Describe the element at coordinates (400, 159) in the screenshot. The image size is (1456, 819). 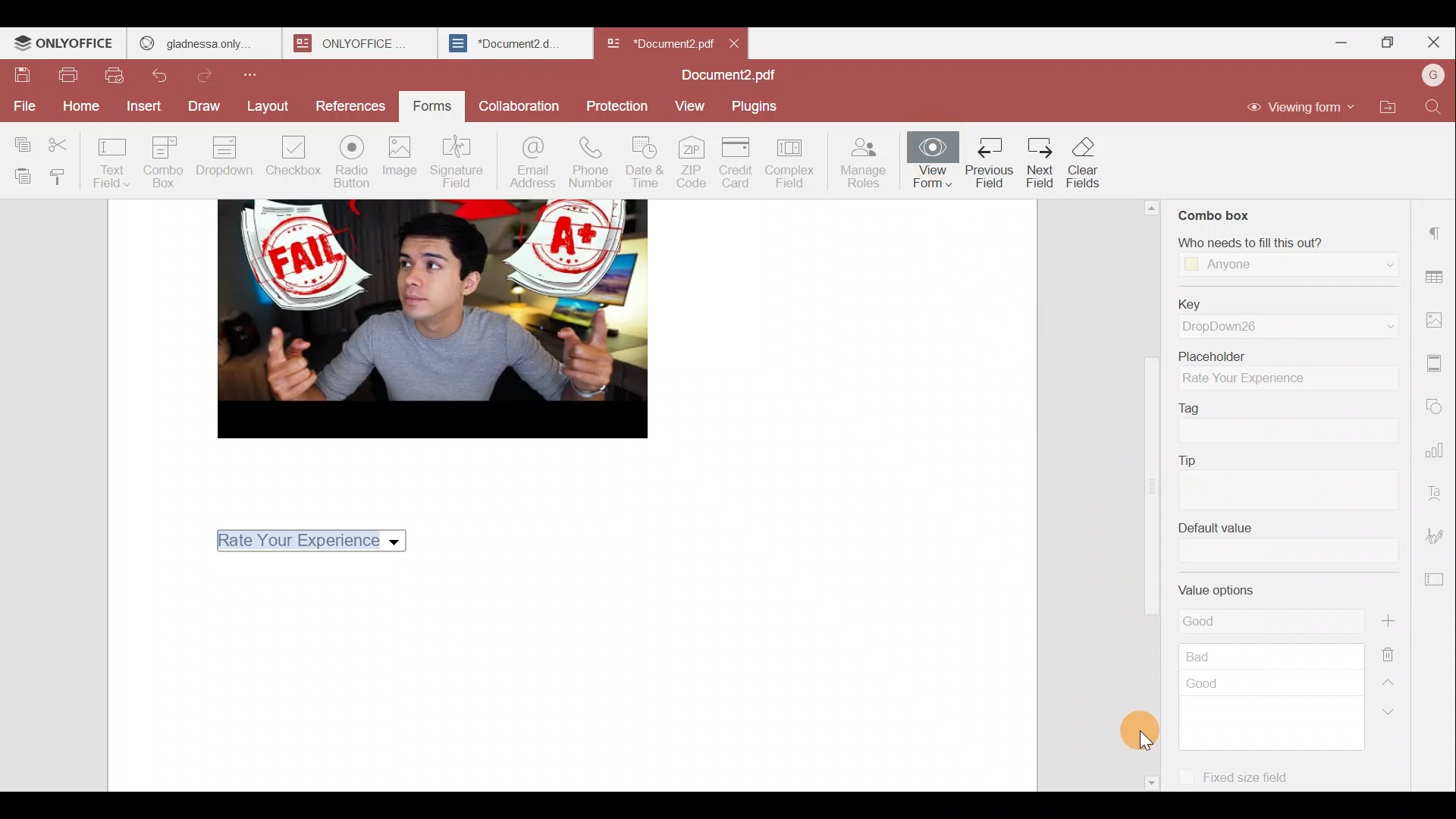
I see `Image` at that location.